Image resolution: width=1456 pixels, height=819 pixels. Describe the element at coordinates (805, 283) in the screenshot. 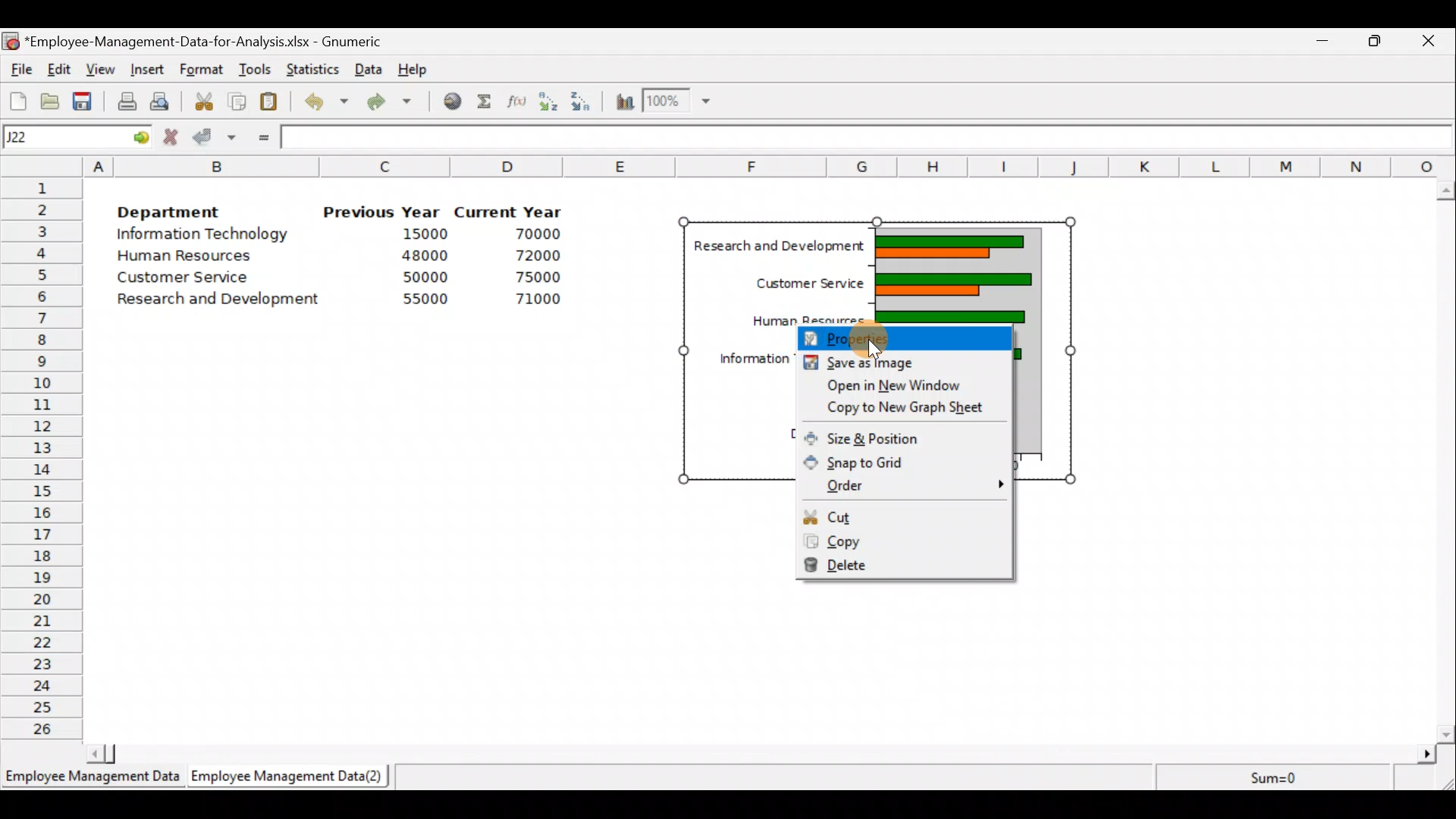

I see `Customer Service |` at that location.